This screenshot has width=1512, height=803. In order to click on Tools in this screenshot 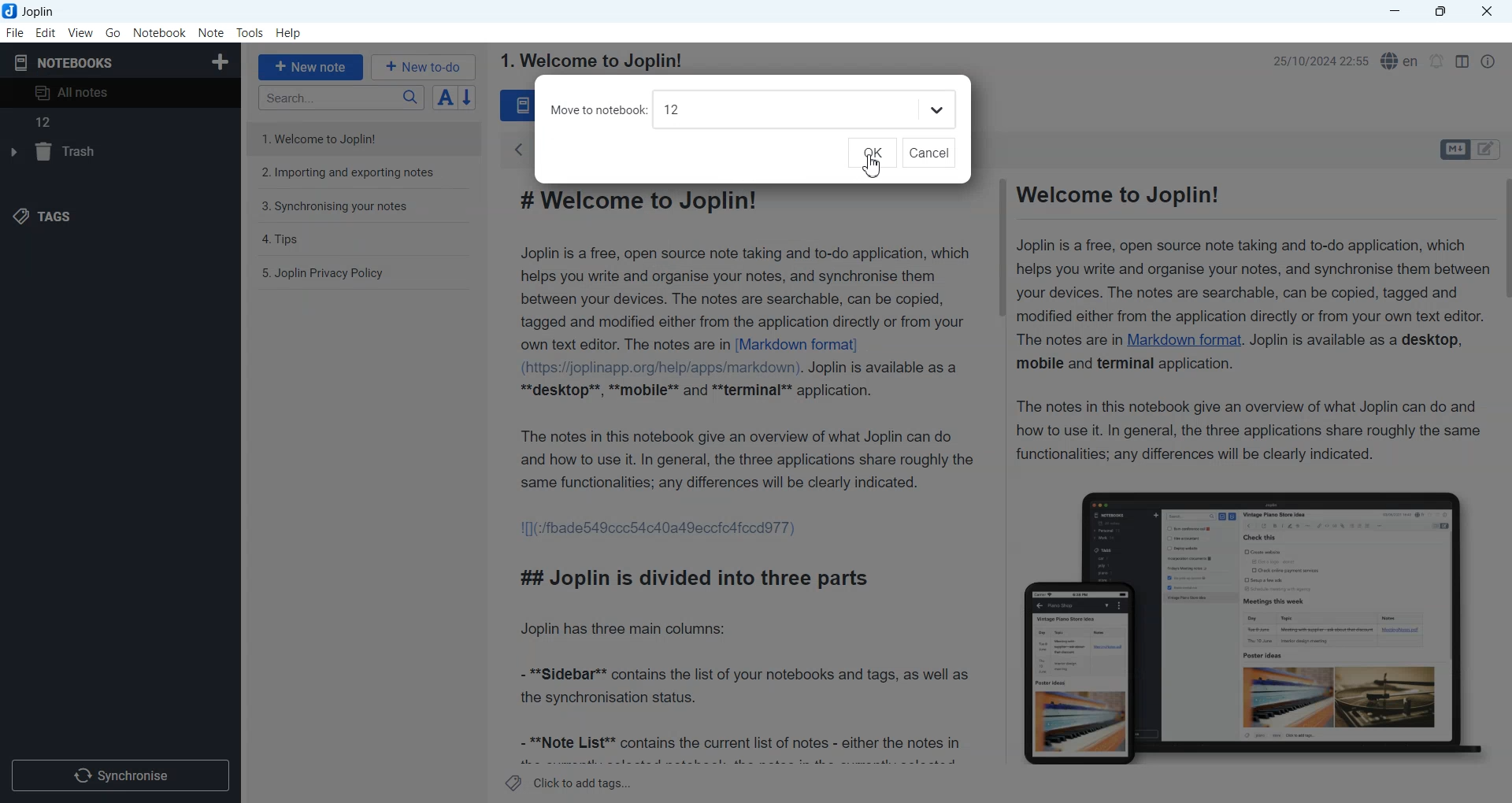, I will do `click(250, 33)`.